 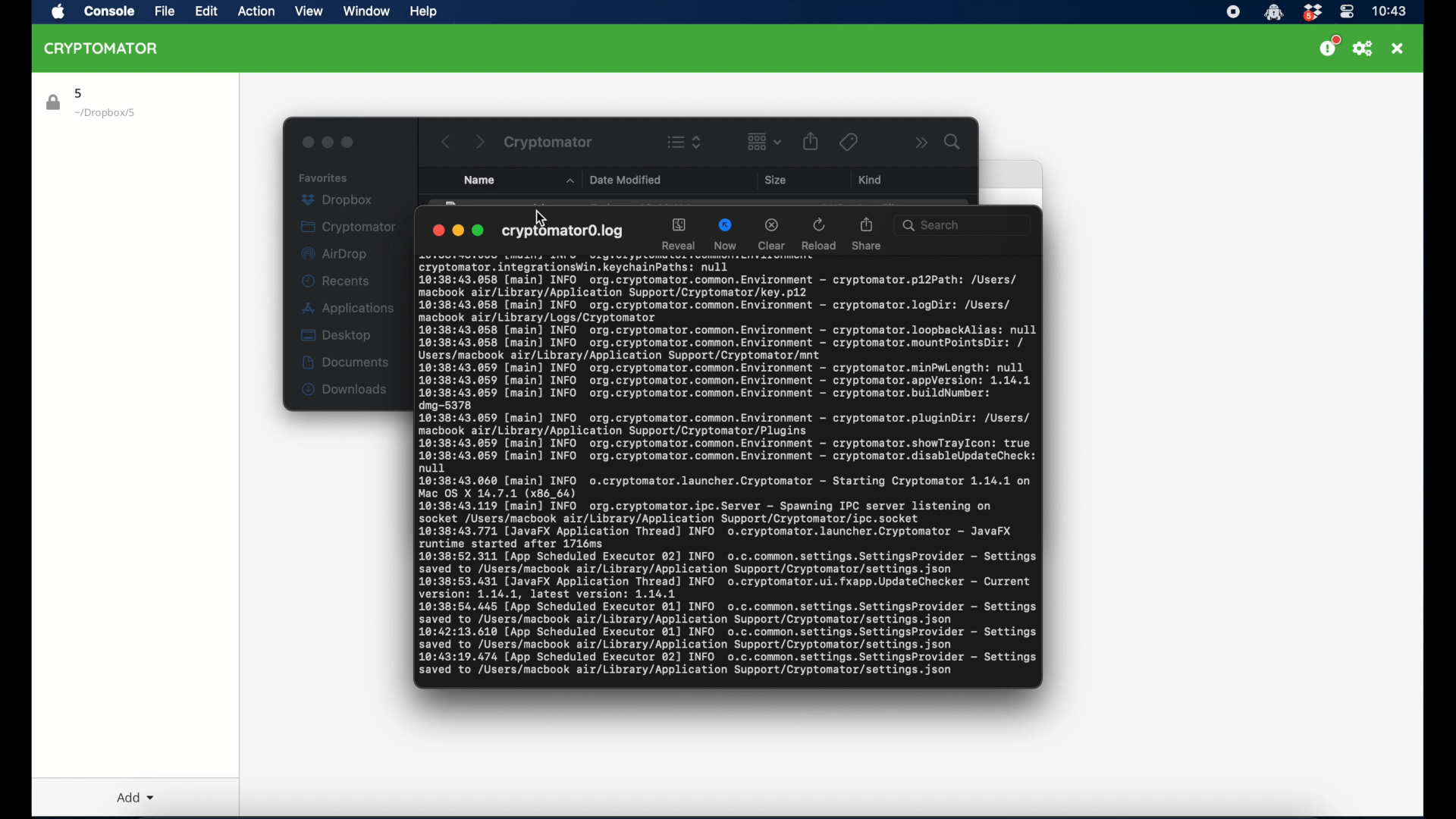 What do you see at coordinates (109, 11) in the screenshot?
I see `Console` at bounding box center [109, 11].